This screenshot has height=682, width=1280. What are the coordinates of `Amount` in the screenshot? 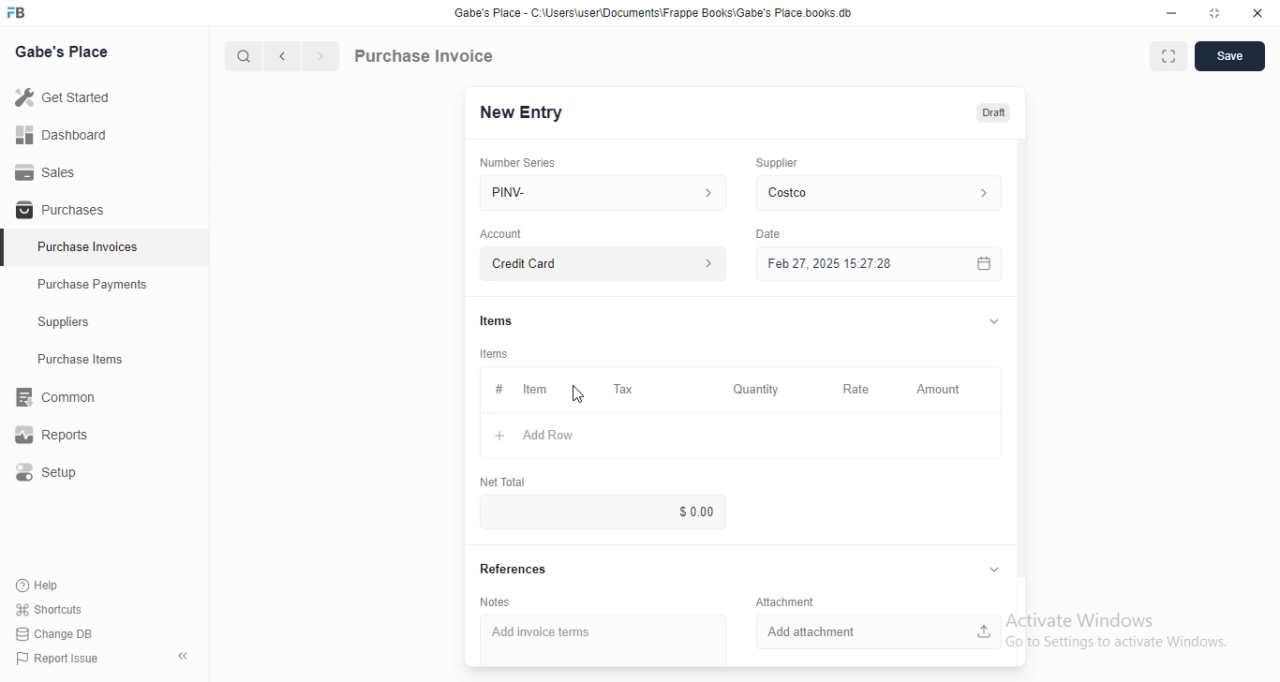 It's located at (943, 390).